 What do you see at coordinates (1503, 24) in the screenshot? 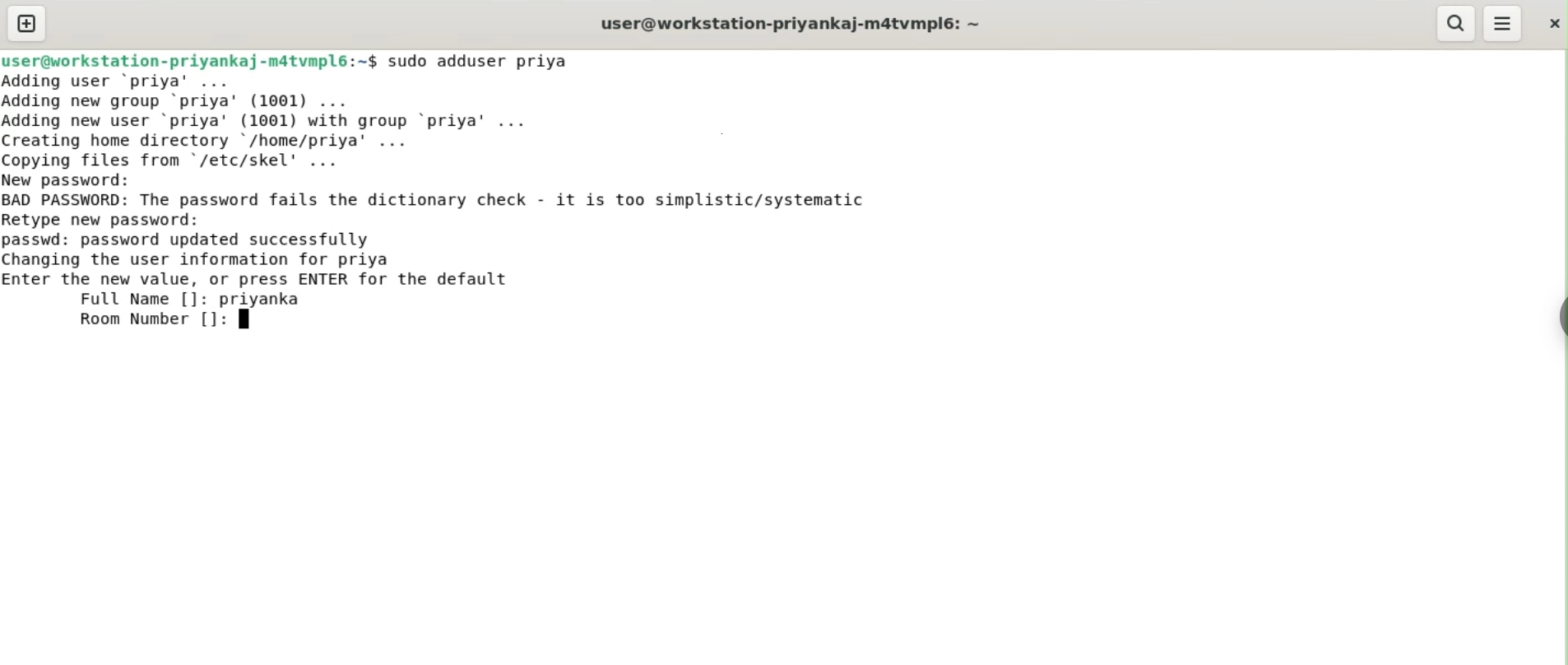
I see `menu` at bounding box center [1503, 24].